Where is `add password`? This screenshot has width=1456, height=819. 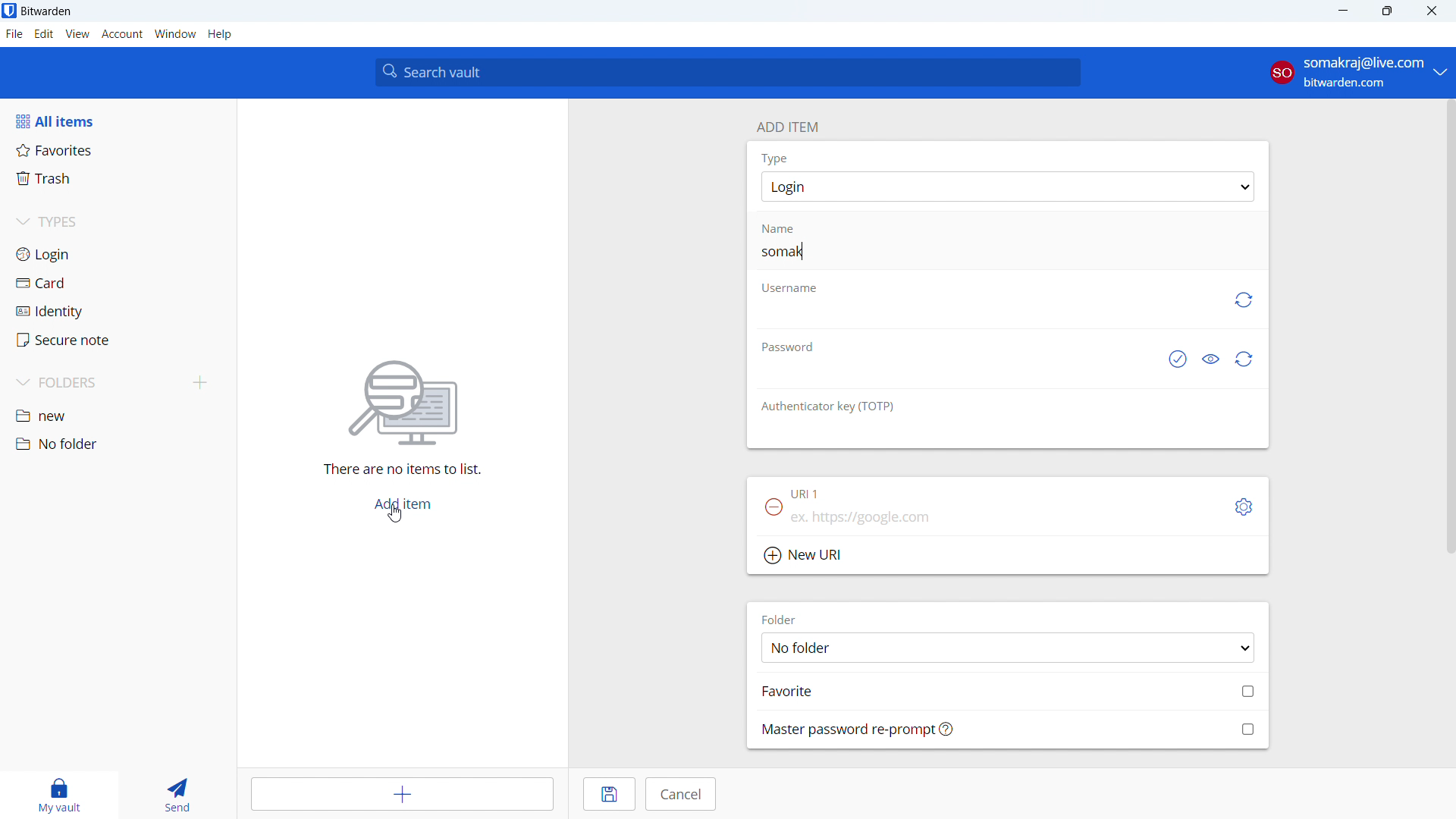 add password is located at coordinates (950, 375).